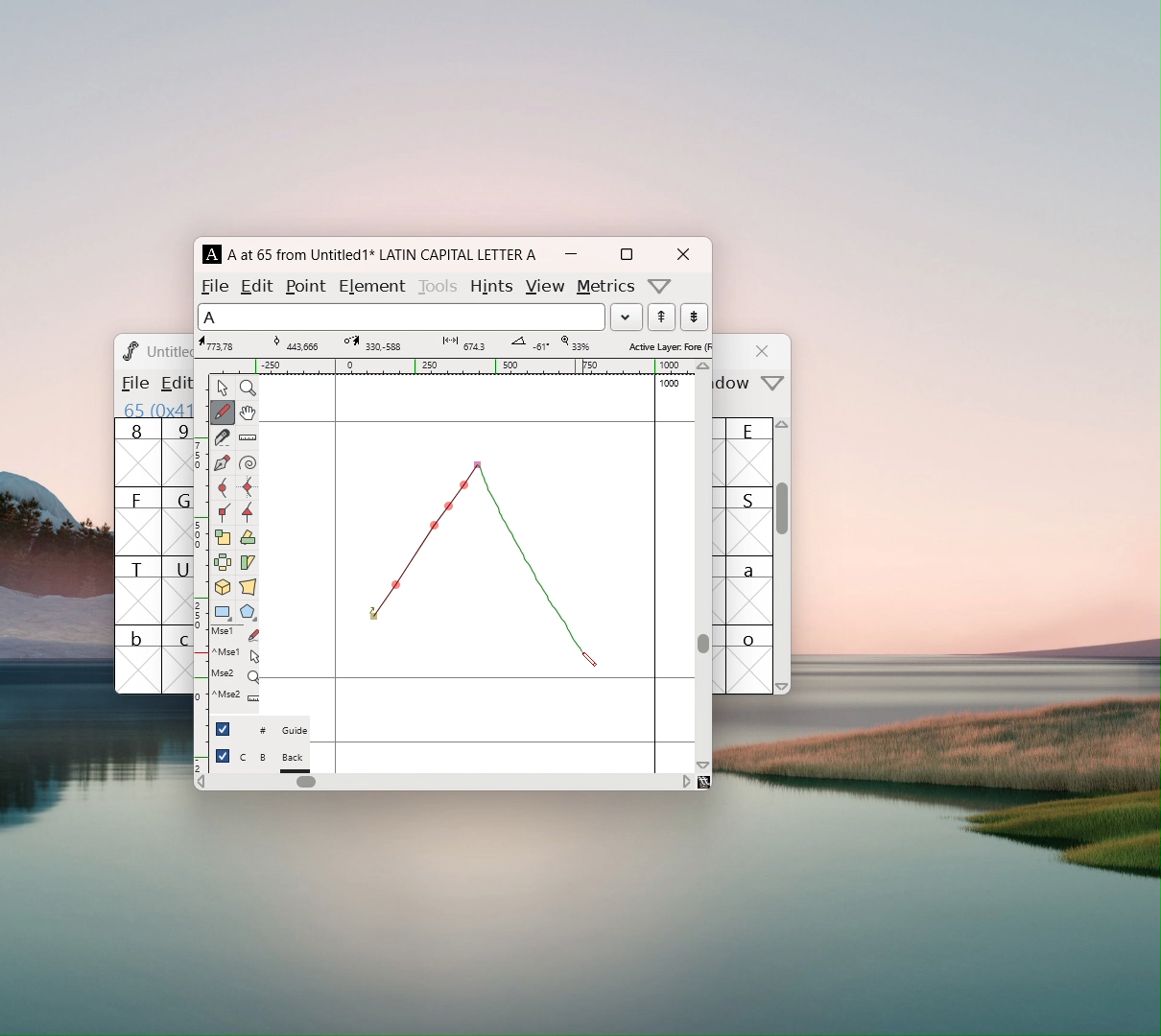 Image resolution: width=1161 pixels, height=1036 pixels. What do you see at coordinates (401, 316) in the screenshot?
I see `selected letter` at bounding box center [401, 316].